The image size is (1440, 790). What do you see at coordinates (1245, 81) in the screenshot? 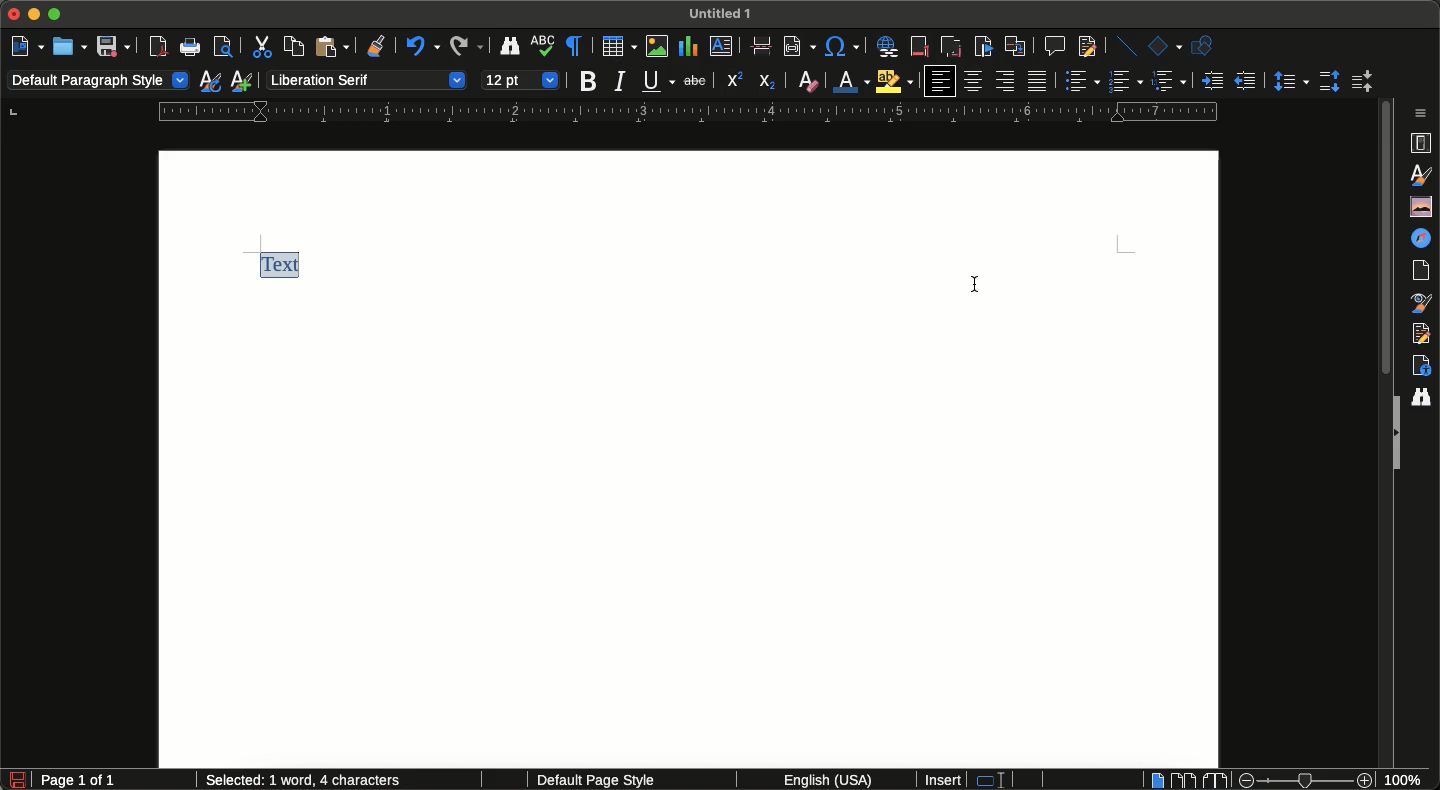
I see `Decrease` at bounding box center [1245, 81].